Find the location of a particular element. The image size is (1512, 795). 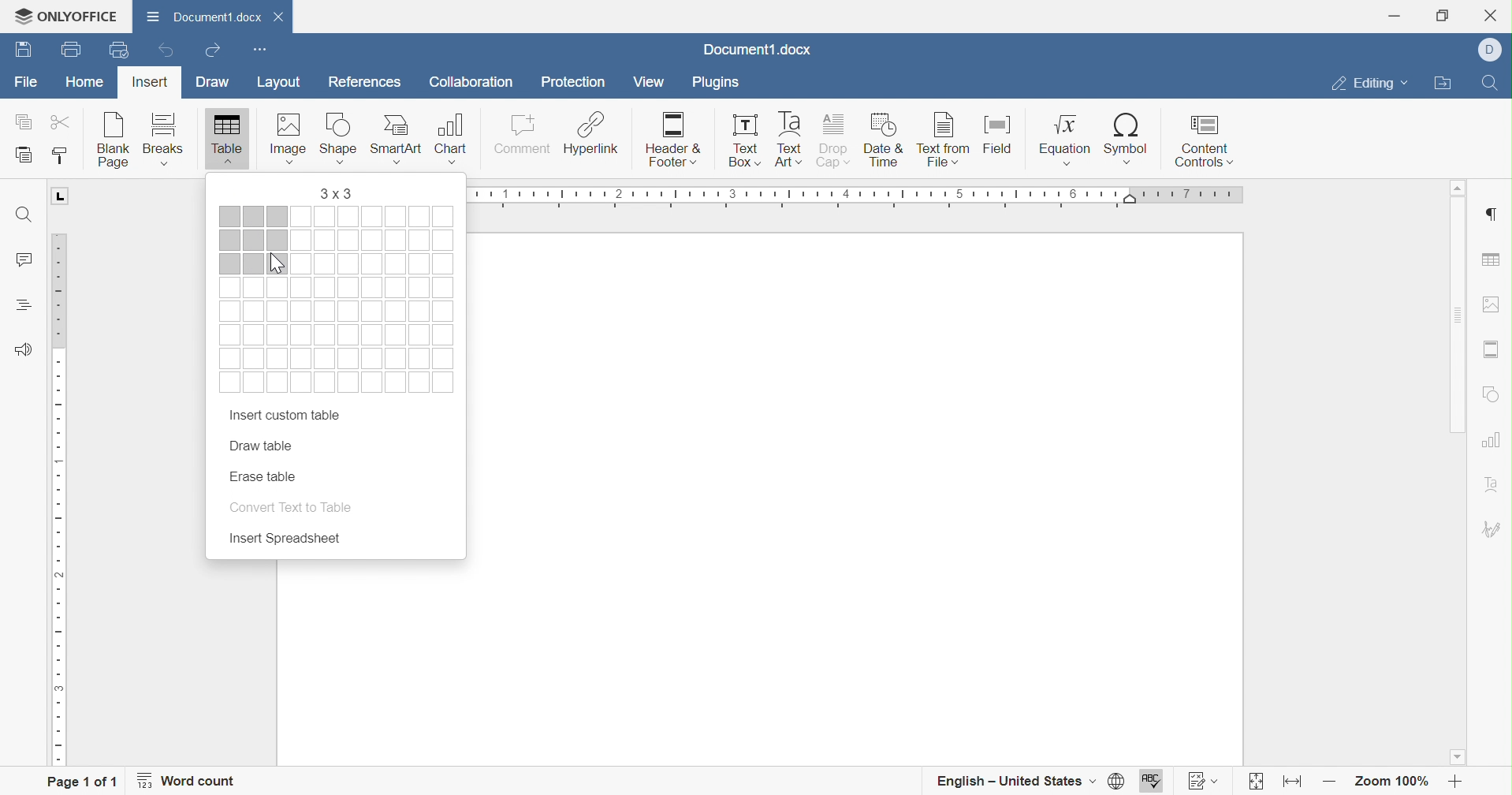

Ruler is located at coordinates (61, 473).